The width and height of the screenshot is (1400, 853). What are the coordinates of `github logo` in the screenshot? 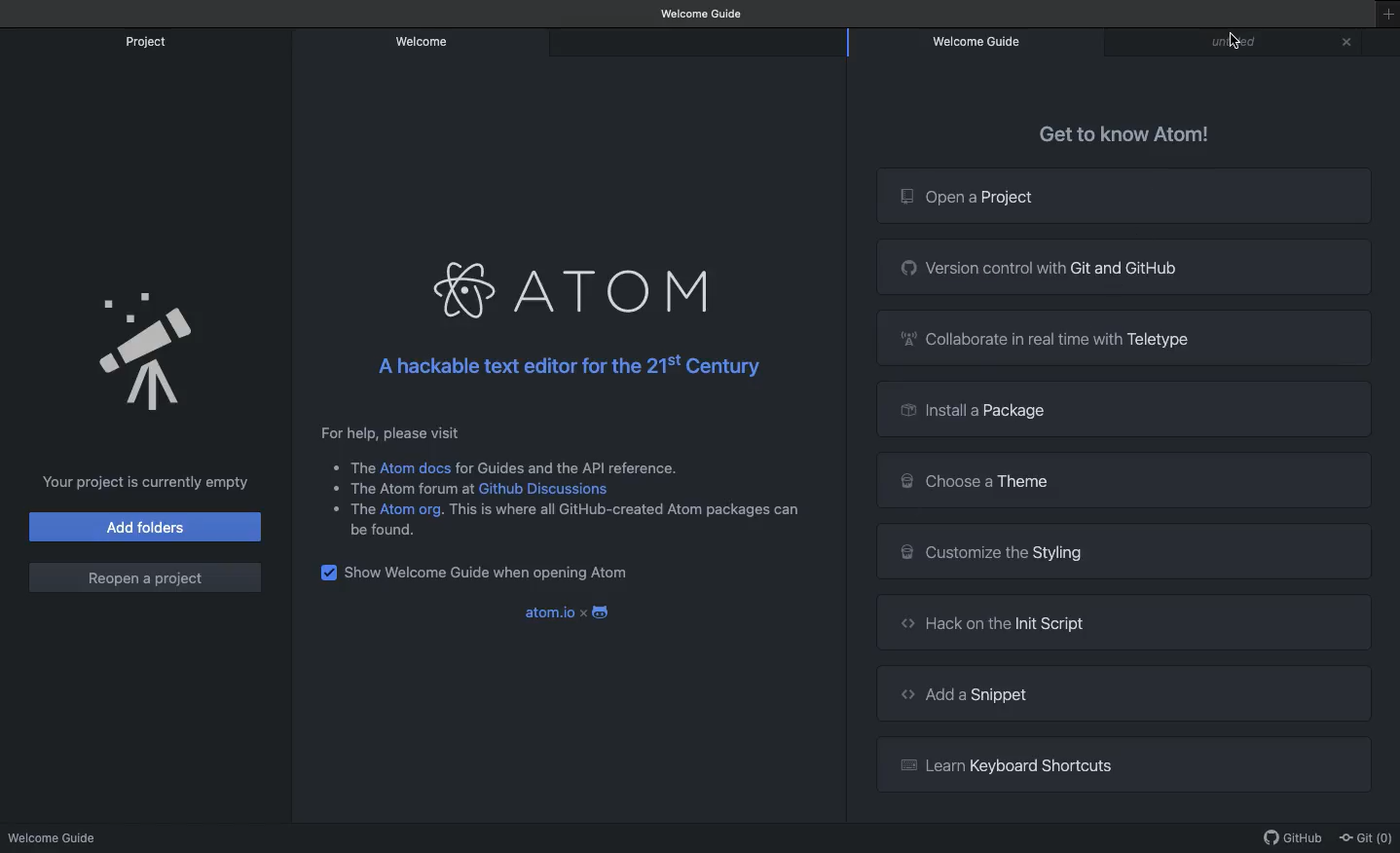 It's located at (905, 266).